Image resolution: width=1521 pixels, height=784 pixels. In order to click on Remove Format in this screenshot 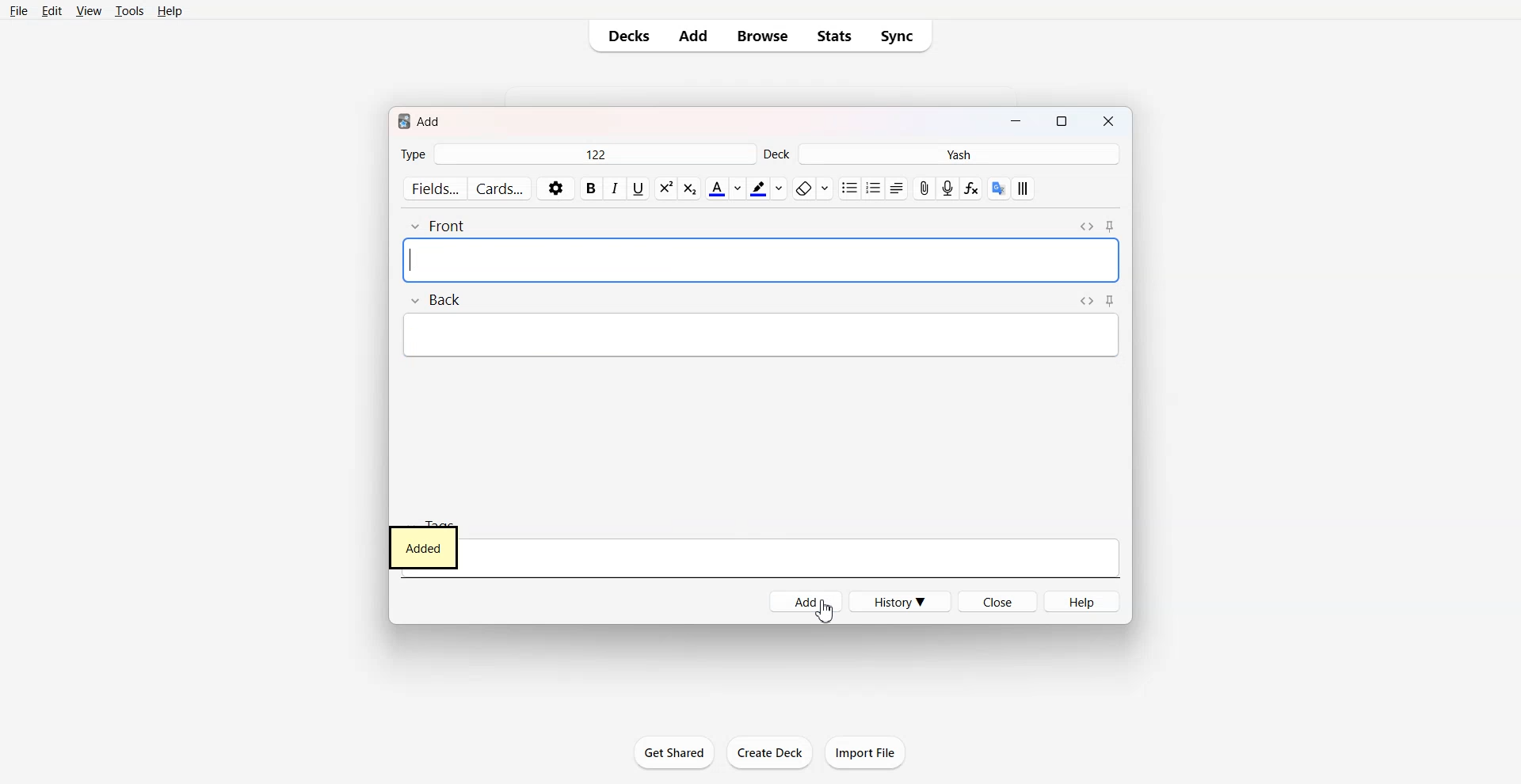, I will do `click(812, 188)`.